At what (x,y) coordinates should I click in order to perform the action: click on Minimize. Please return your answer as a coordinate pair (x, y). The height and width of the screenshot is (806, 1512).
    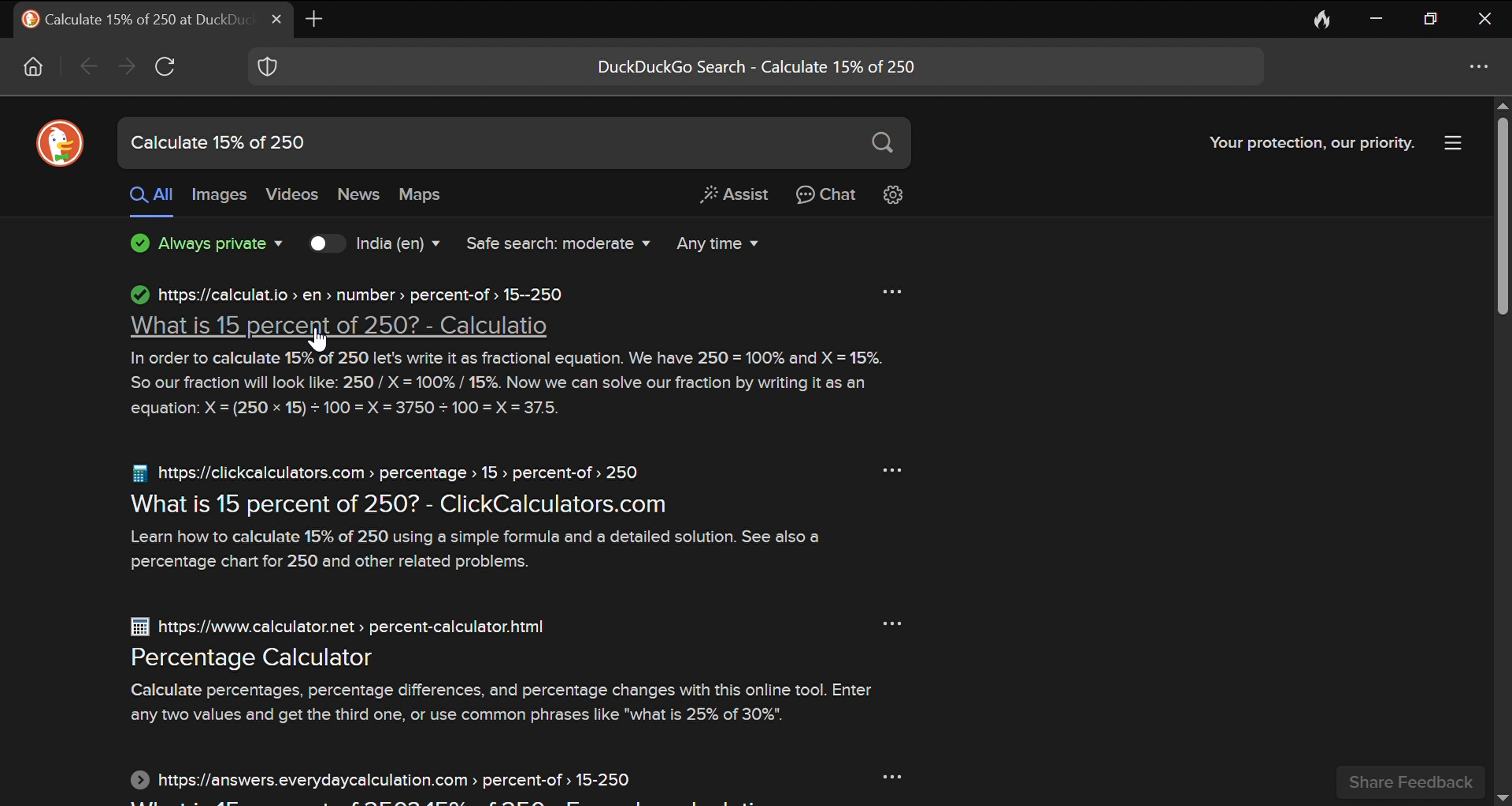
    Looking at the image, I should click on (1377, 17).